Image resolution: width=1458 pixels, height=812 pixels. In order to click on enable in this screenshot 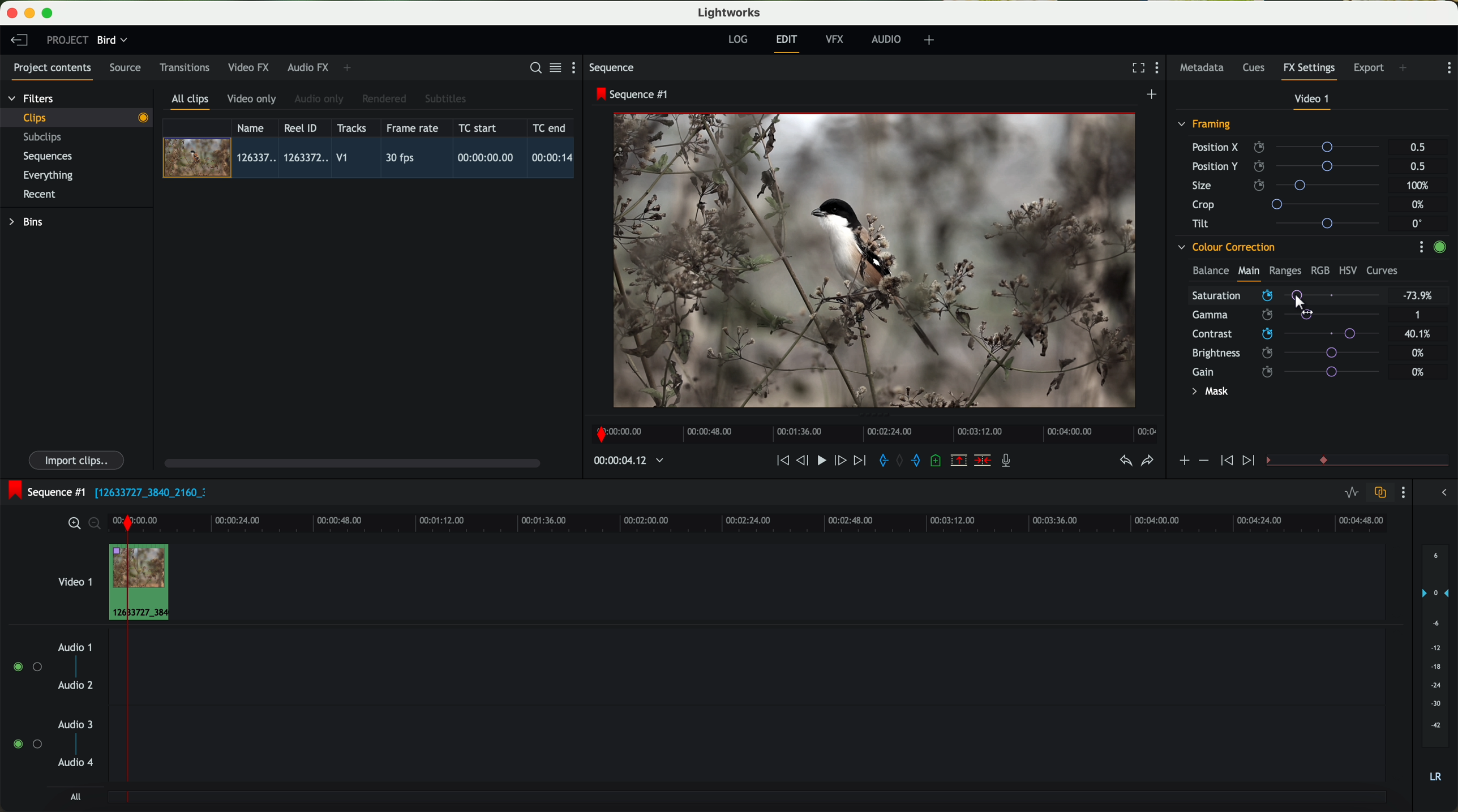, I will do `click(1439, 248)`.